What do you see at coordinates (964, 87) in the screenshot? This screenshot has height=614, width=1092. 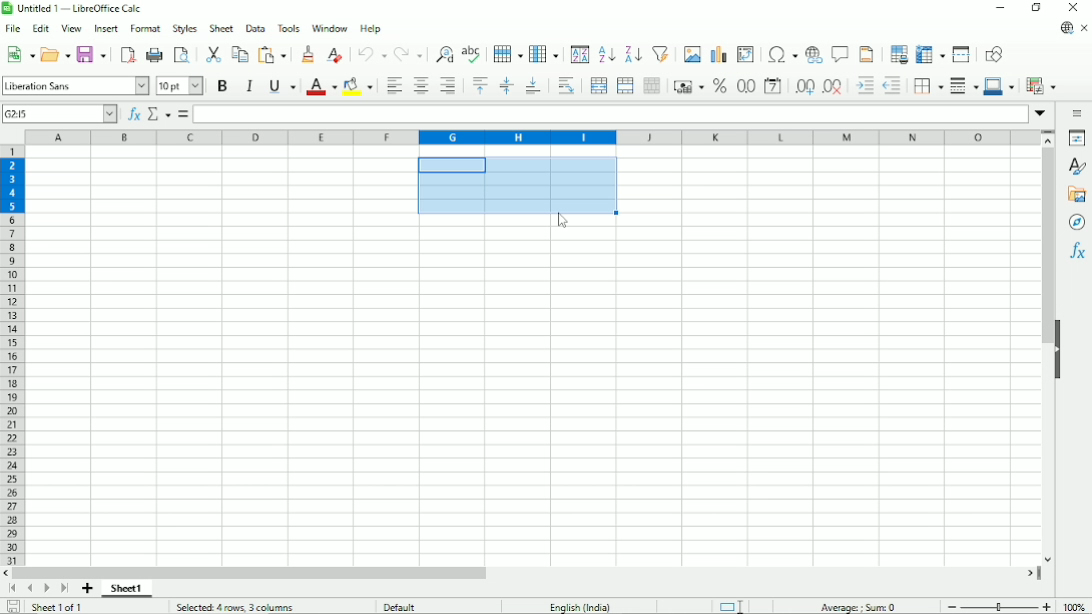 I see `Border style` at bounding box center [964, 87].